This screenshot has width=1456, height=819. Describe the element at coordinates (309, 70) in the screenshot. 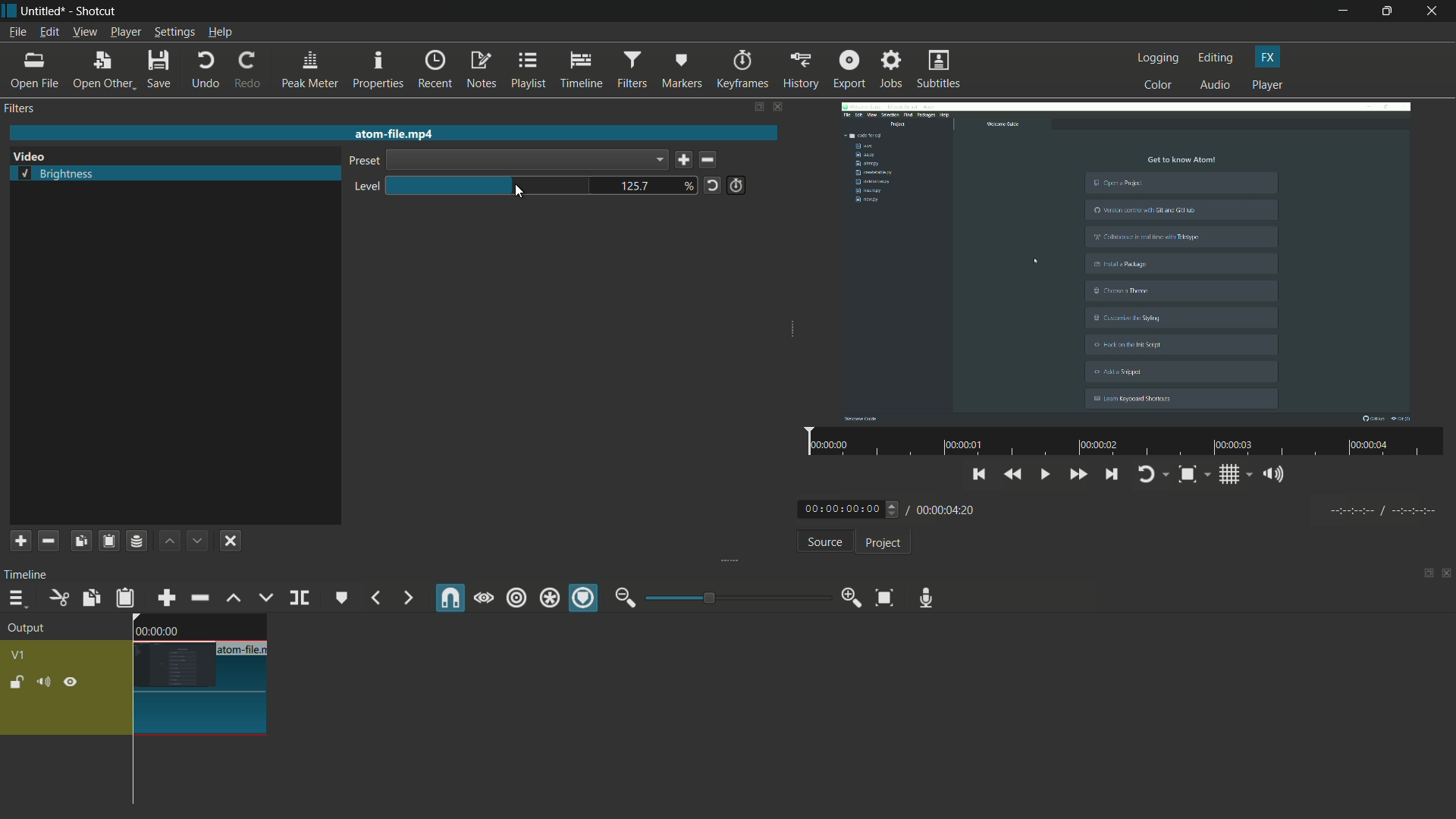

I see `peak meter` at that location.